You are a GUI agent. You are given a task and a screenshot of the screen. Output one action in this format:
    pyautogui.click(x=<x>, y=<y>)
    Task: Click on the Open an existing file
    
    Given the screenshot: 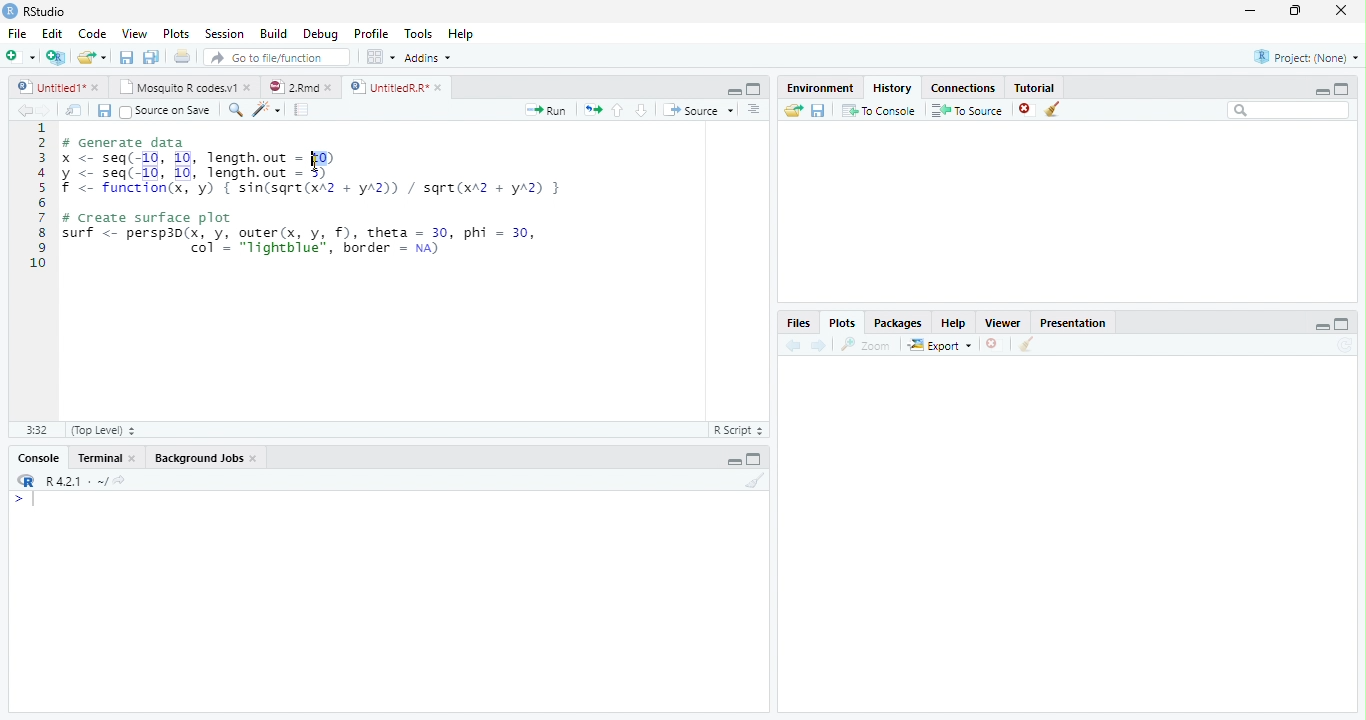 What is the action you would take?
    pyautogui.click(x=84, y=57)
    